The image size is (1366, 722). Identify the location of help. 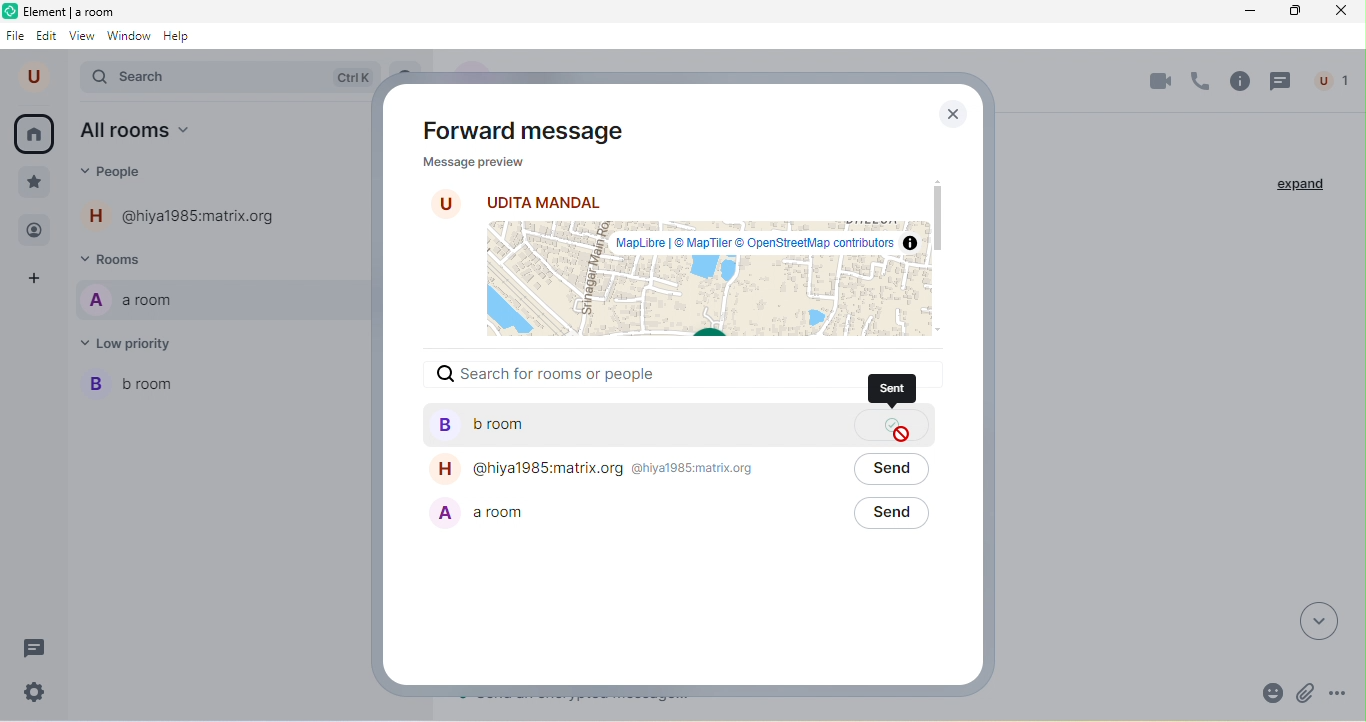
(177, 37).